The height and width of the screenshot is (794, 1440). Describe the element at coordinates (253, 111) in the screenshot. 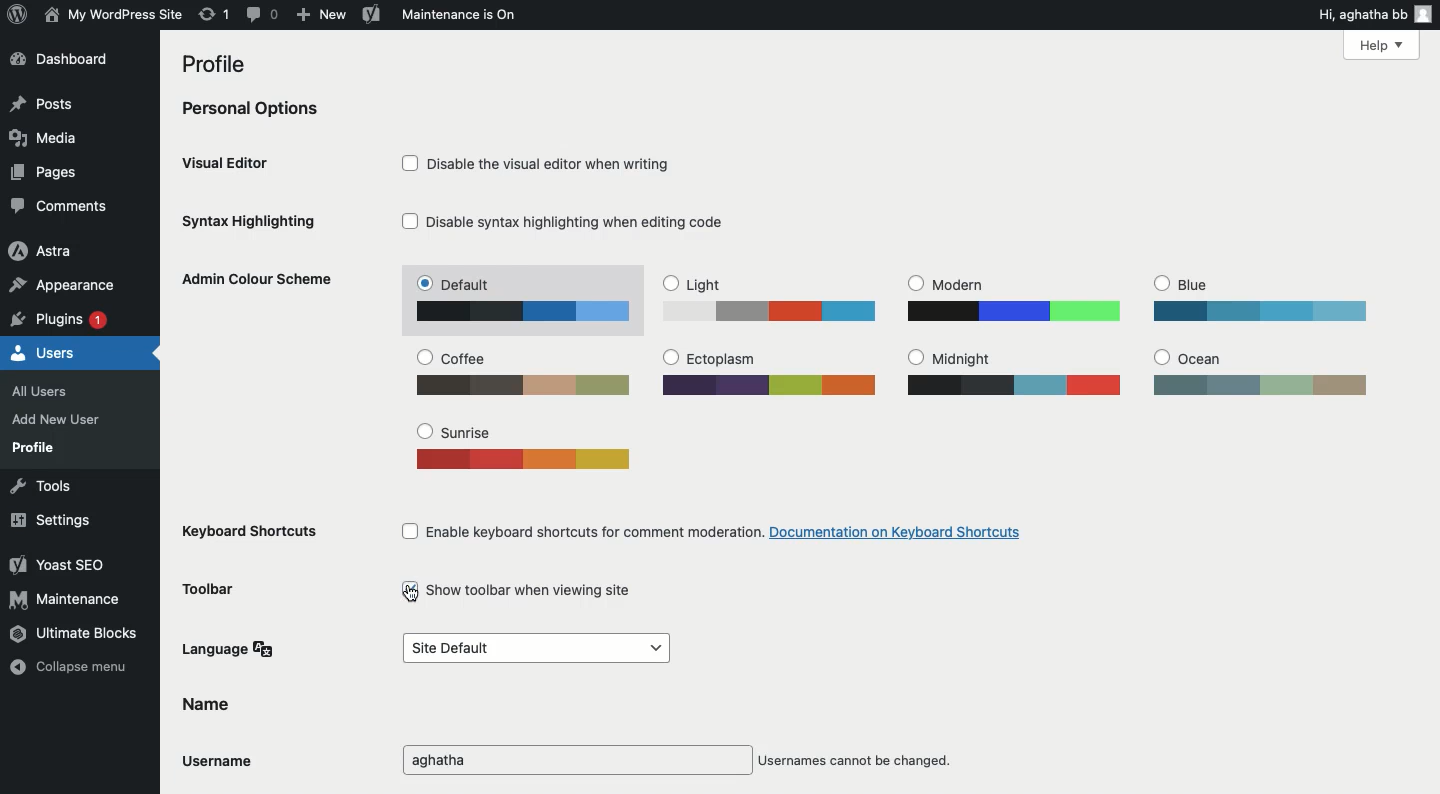

I see `Personal options` at that location.